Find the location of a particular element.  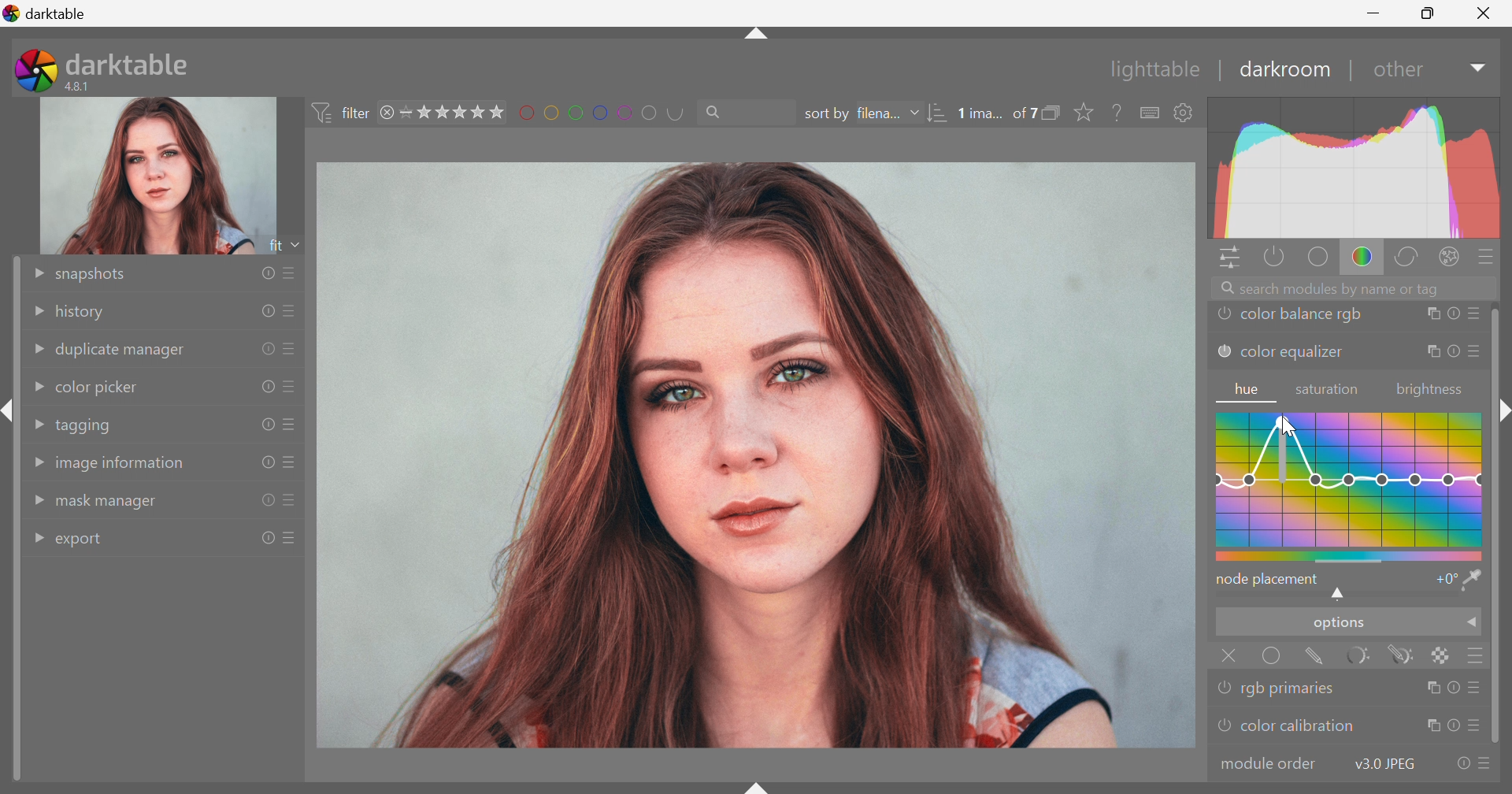

options is located at coordinates (1336, 625).